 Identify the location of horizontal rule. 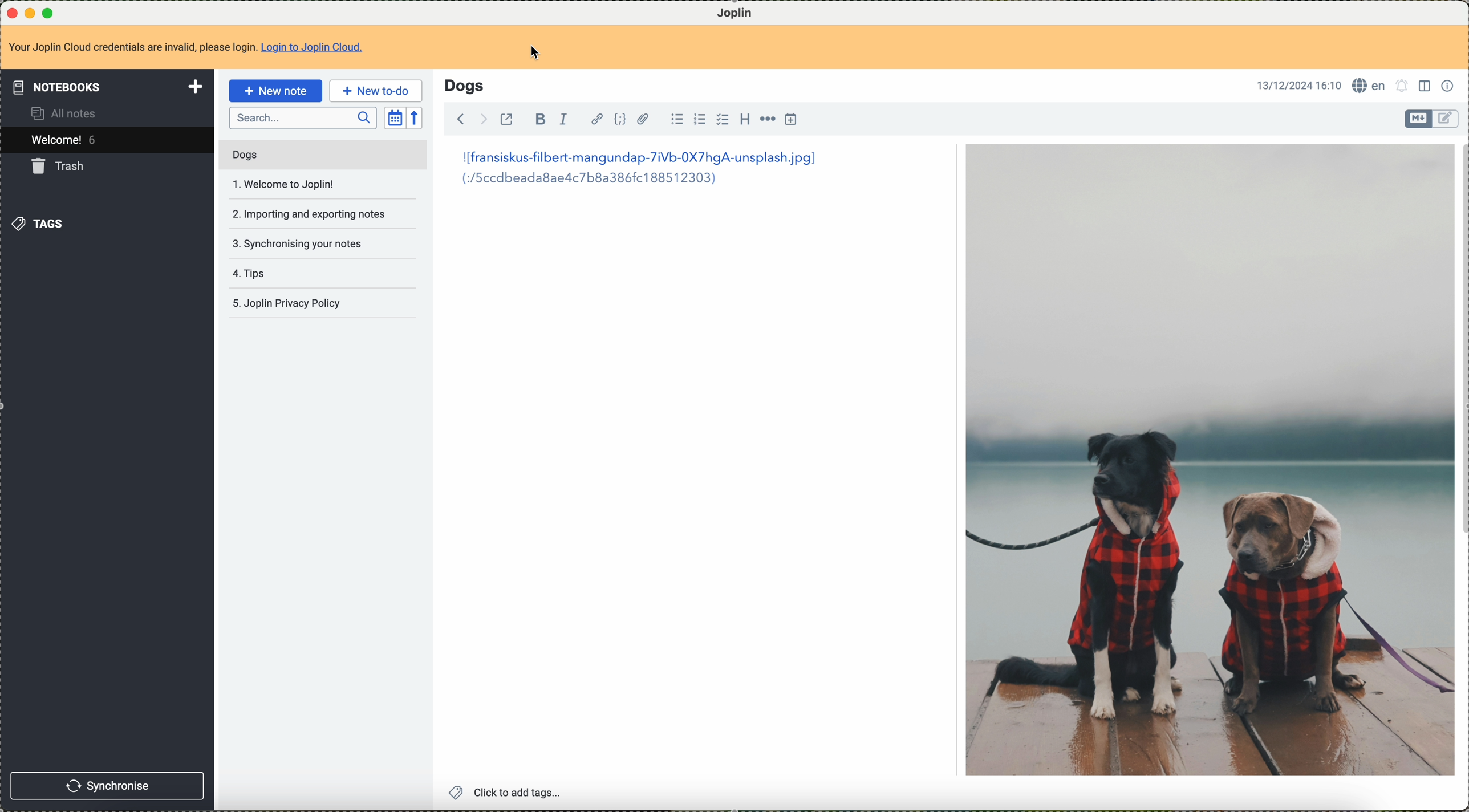
(768, 120).